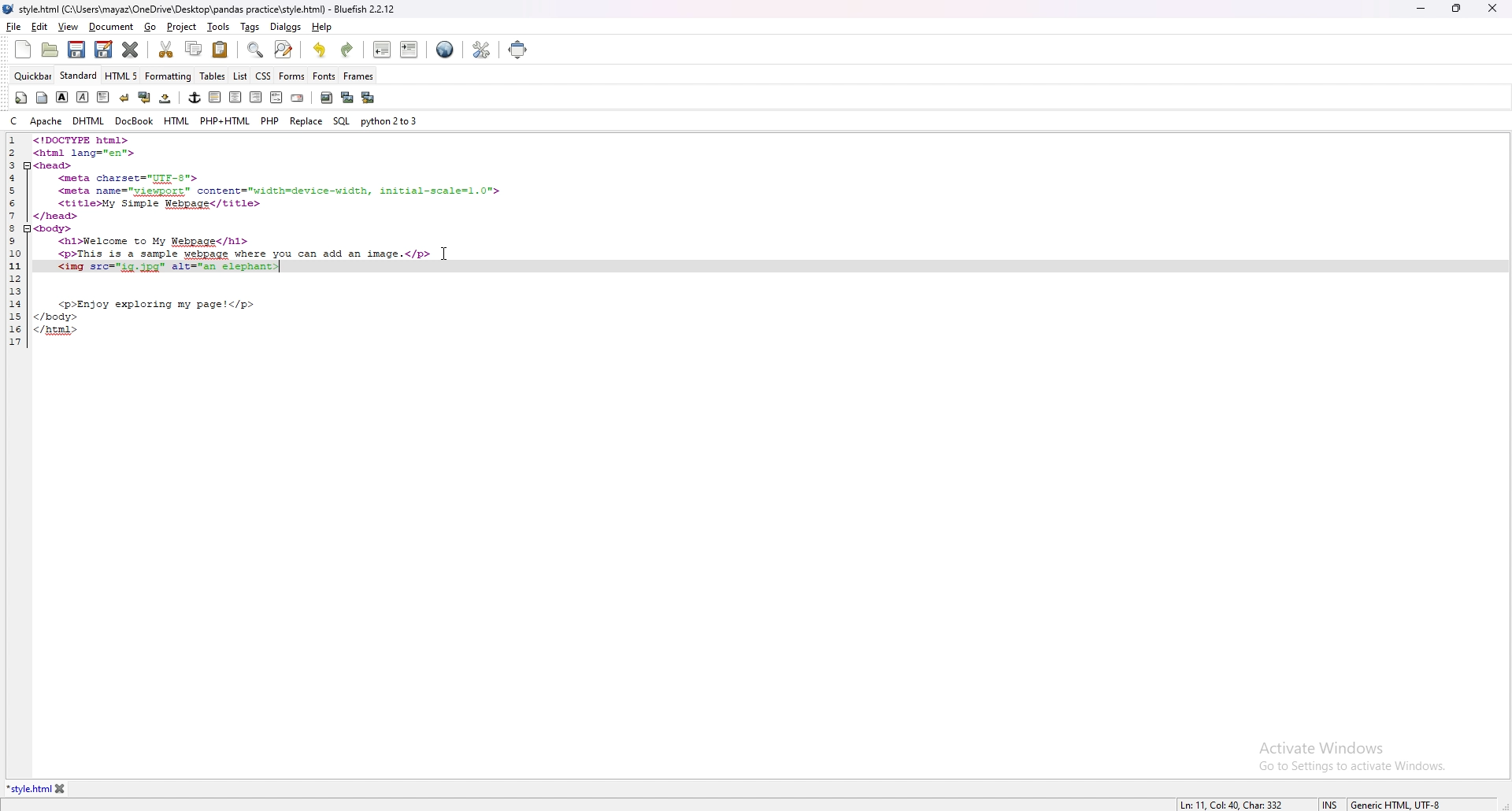 This screenshot has width=1512, height=811. I want to click on <body>, so click(55, 229).